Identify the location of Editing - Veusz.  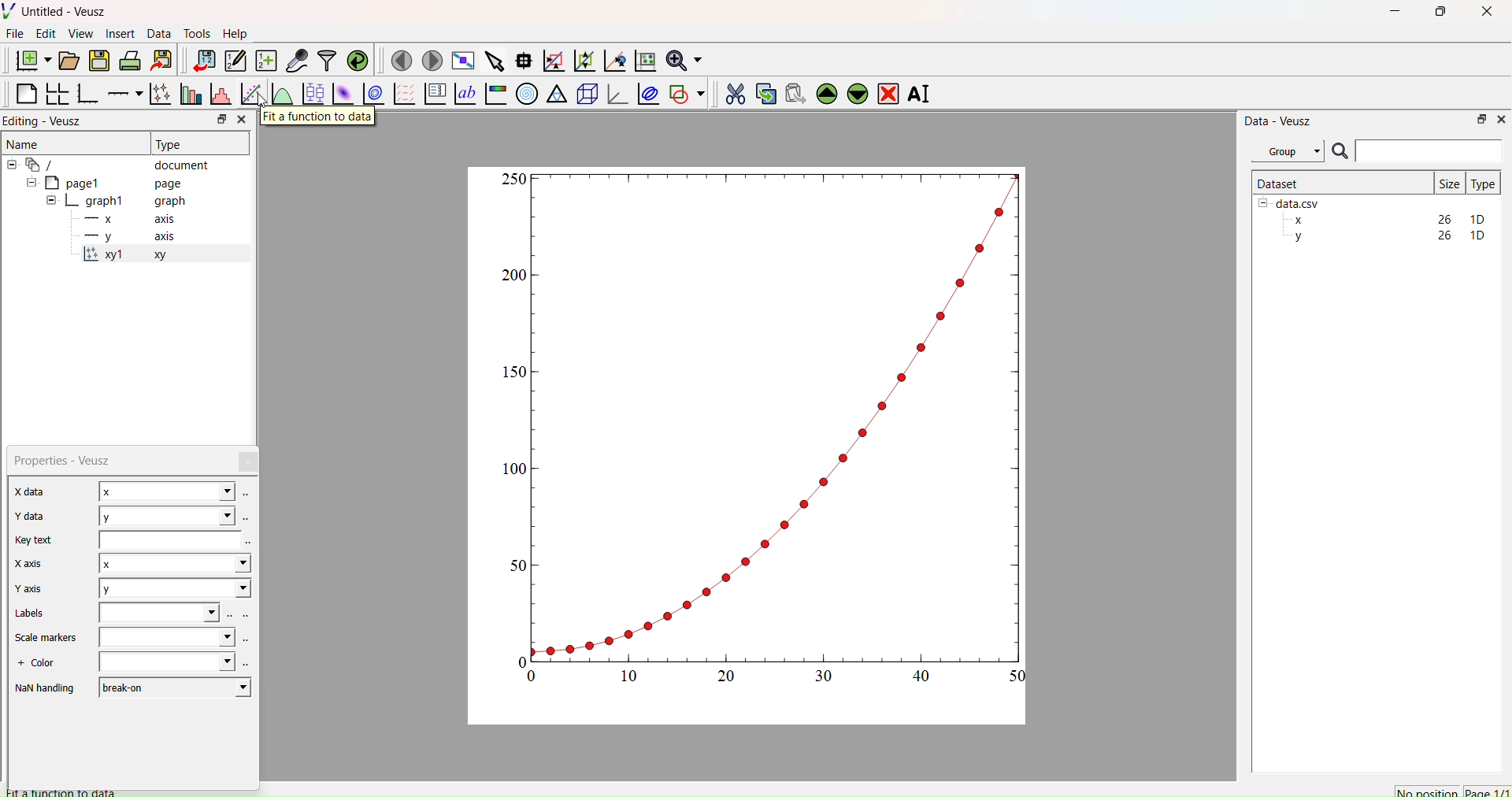
(47, 120).